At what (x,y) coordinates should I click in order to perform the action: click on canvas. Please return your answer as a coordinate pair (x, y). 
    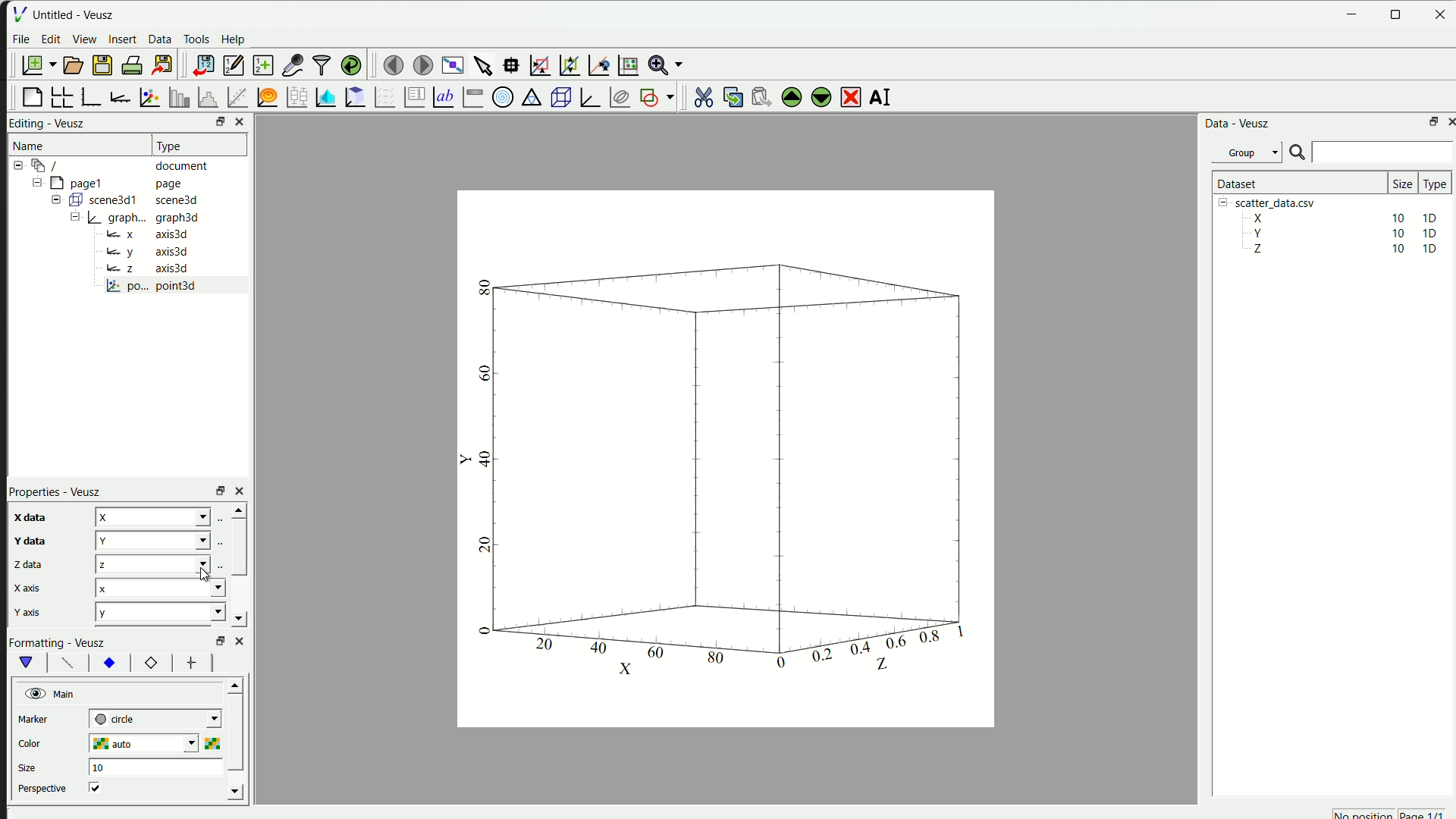
    Looking at the image, I should click on (723, 461).